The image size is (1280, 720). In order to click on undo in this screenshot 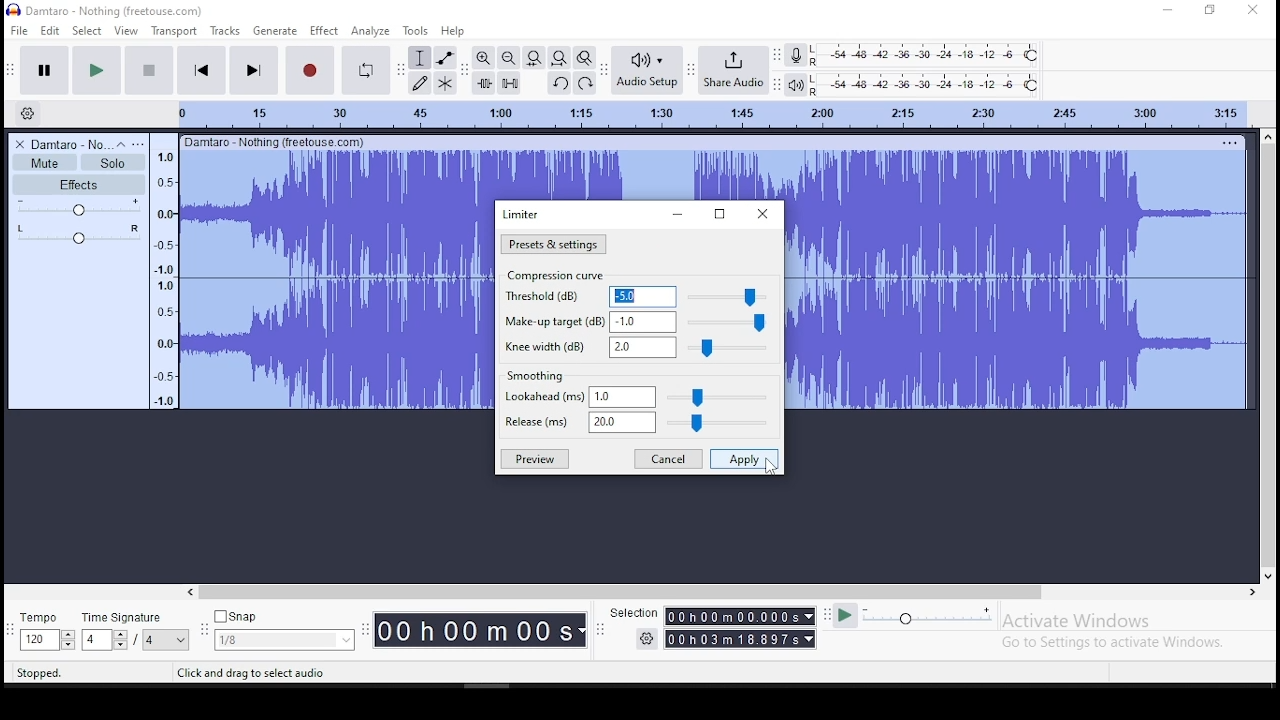, I will do `click(558, 83)`.